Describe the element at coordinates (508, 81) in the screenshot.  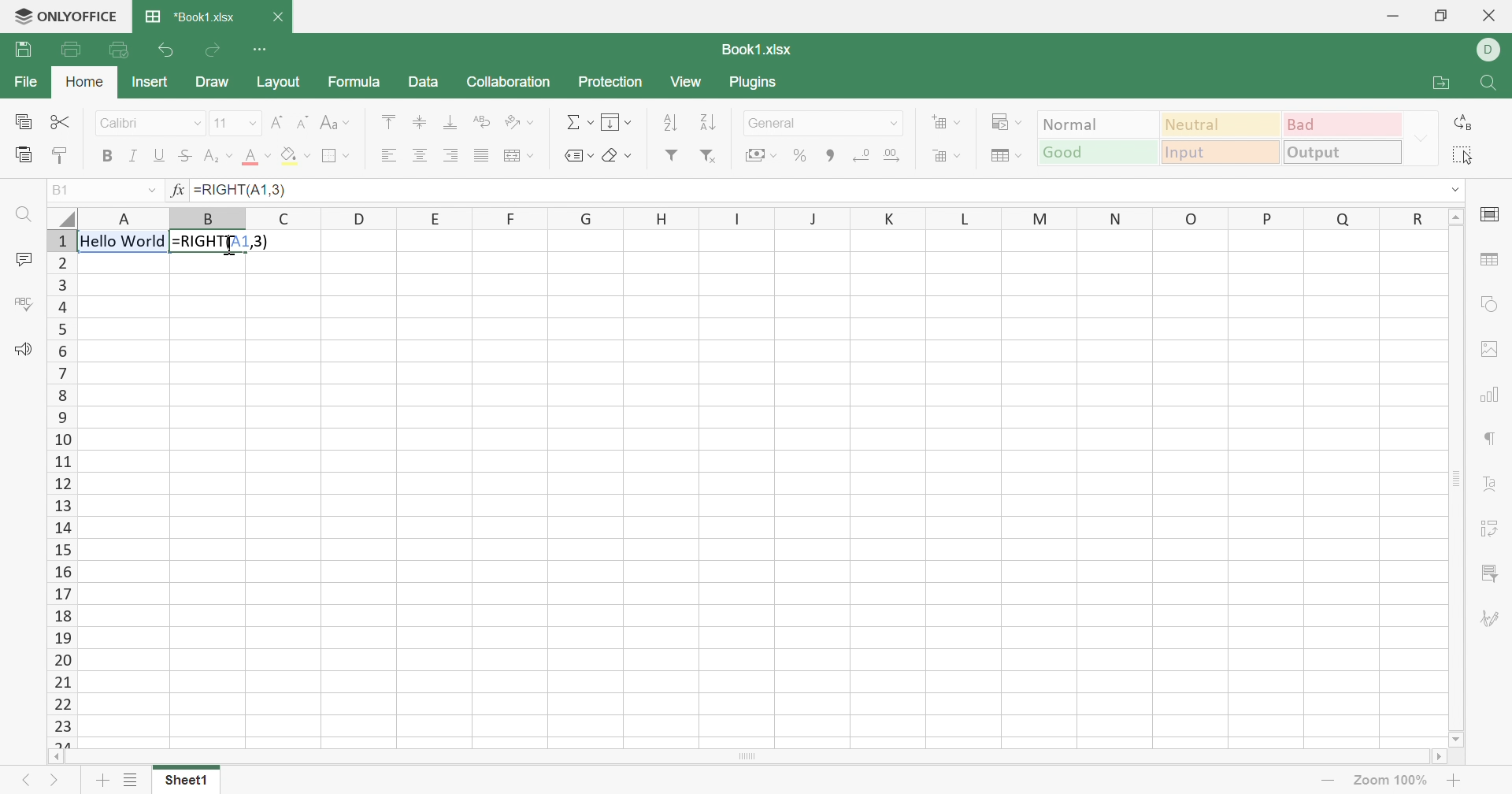
I see `Collaboration` at that location.